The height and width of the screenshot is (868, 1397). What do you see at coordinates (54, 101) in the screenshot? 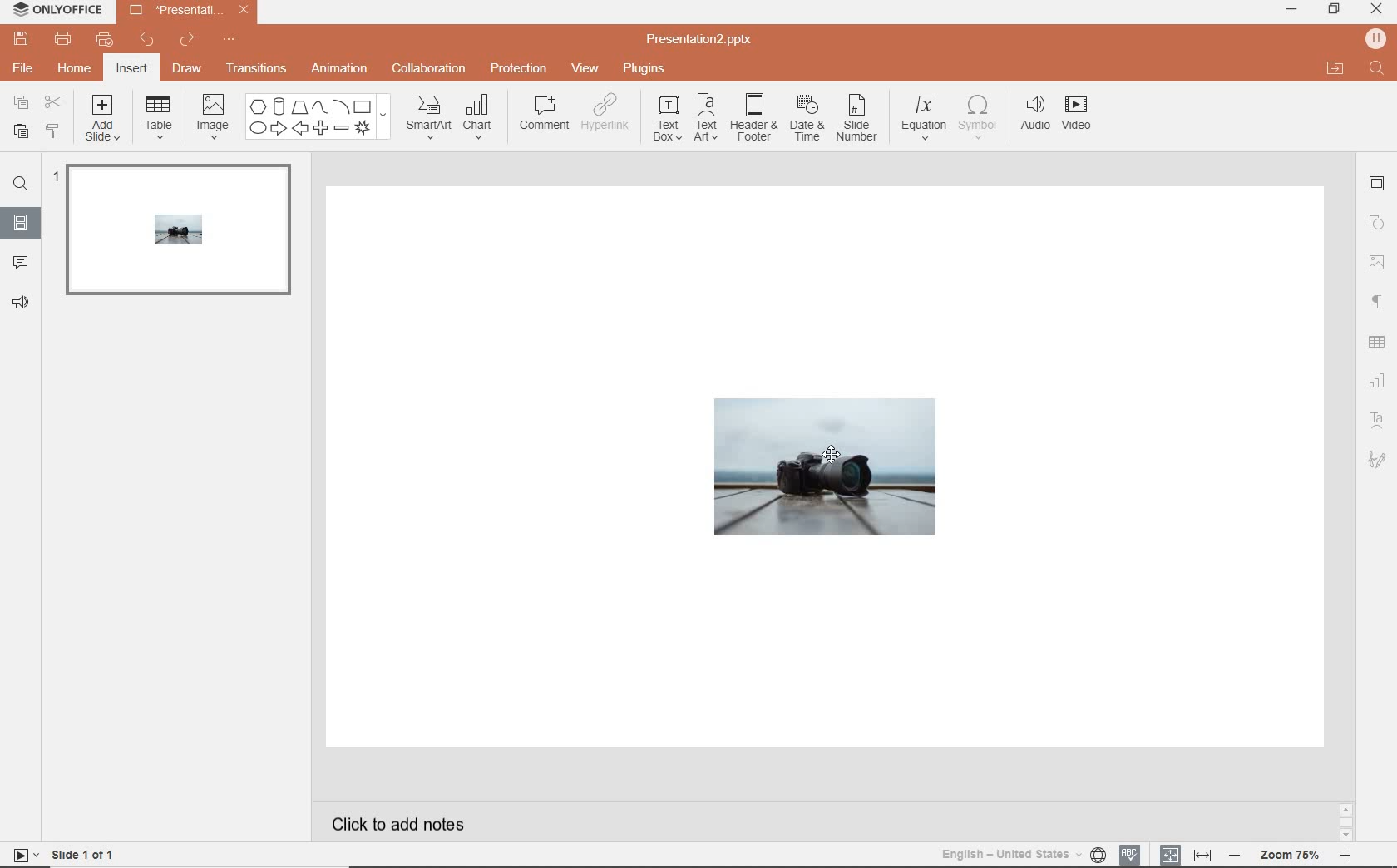
I see `cut` at bounding box center [54, 101].